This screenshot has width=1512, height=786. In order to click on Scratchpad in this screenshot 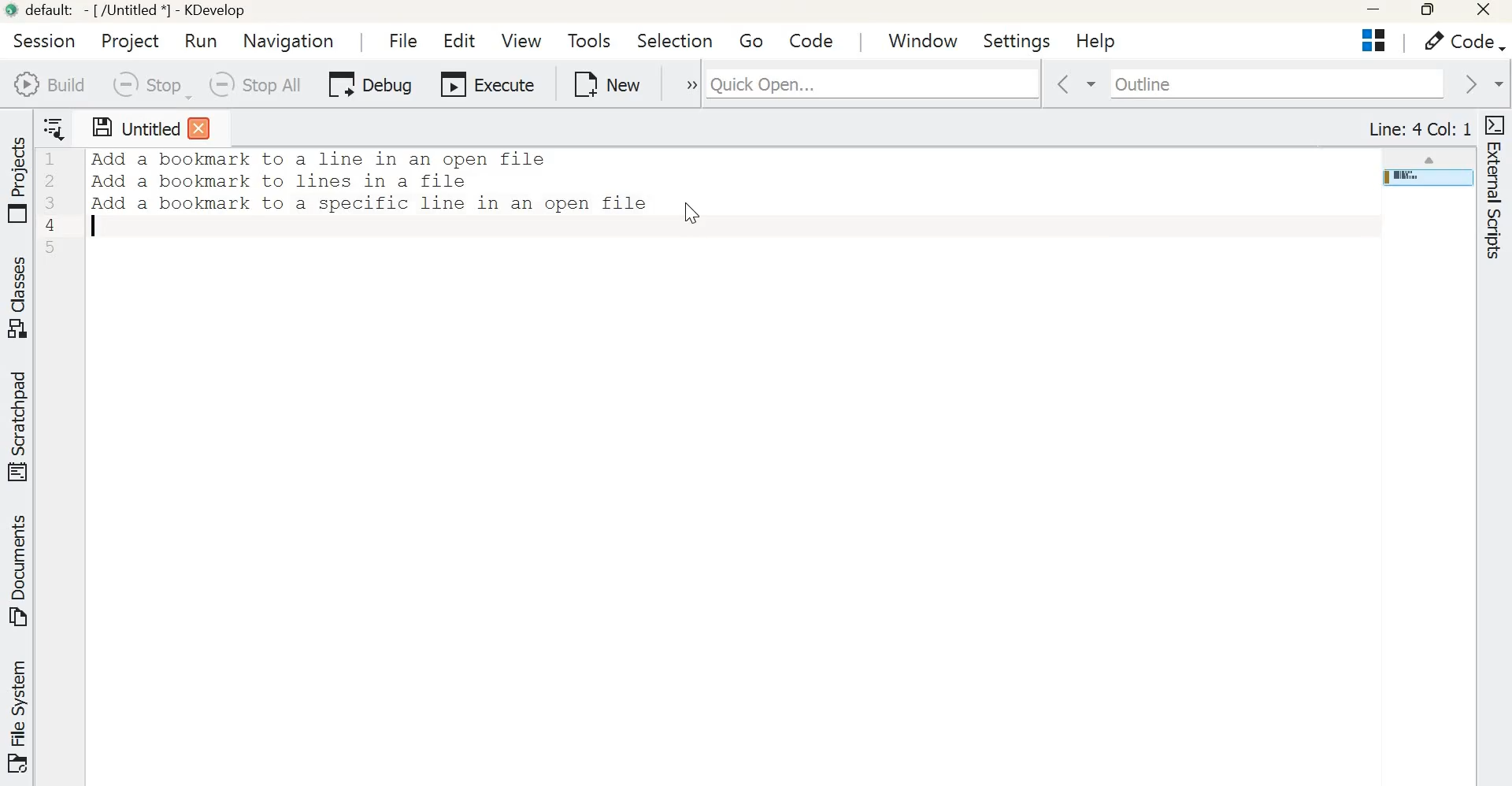, I will do `click(20, 427)`.